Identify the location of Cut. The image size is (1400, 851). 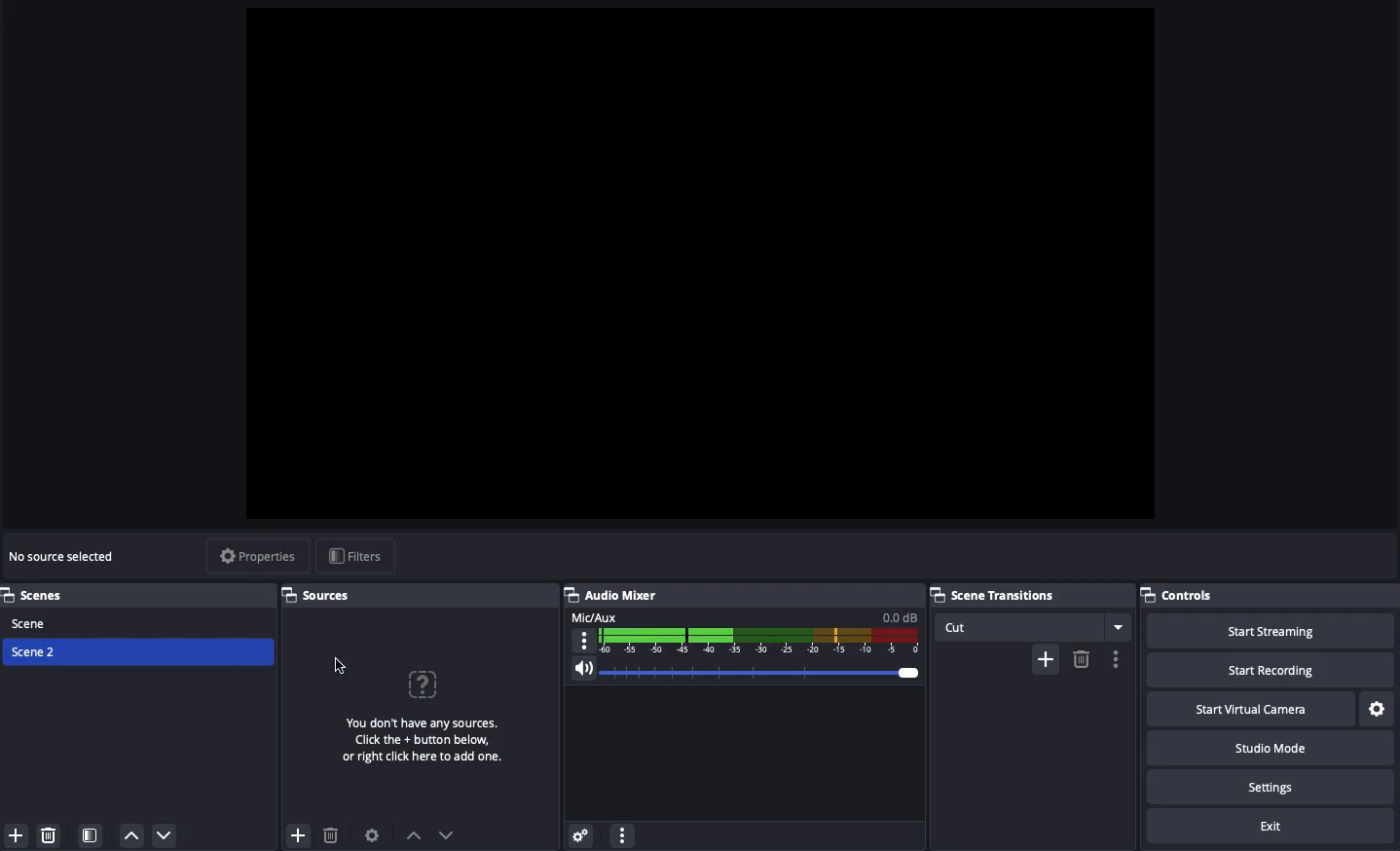
(1034, 627).